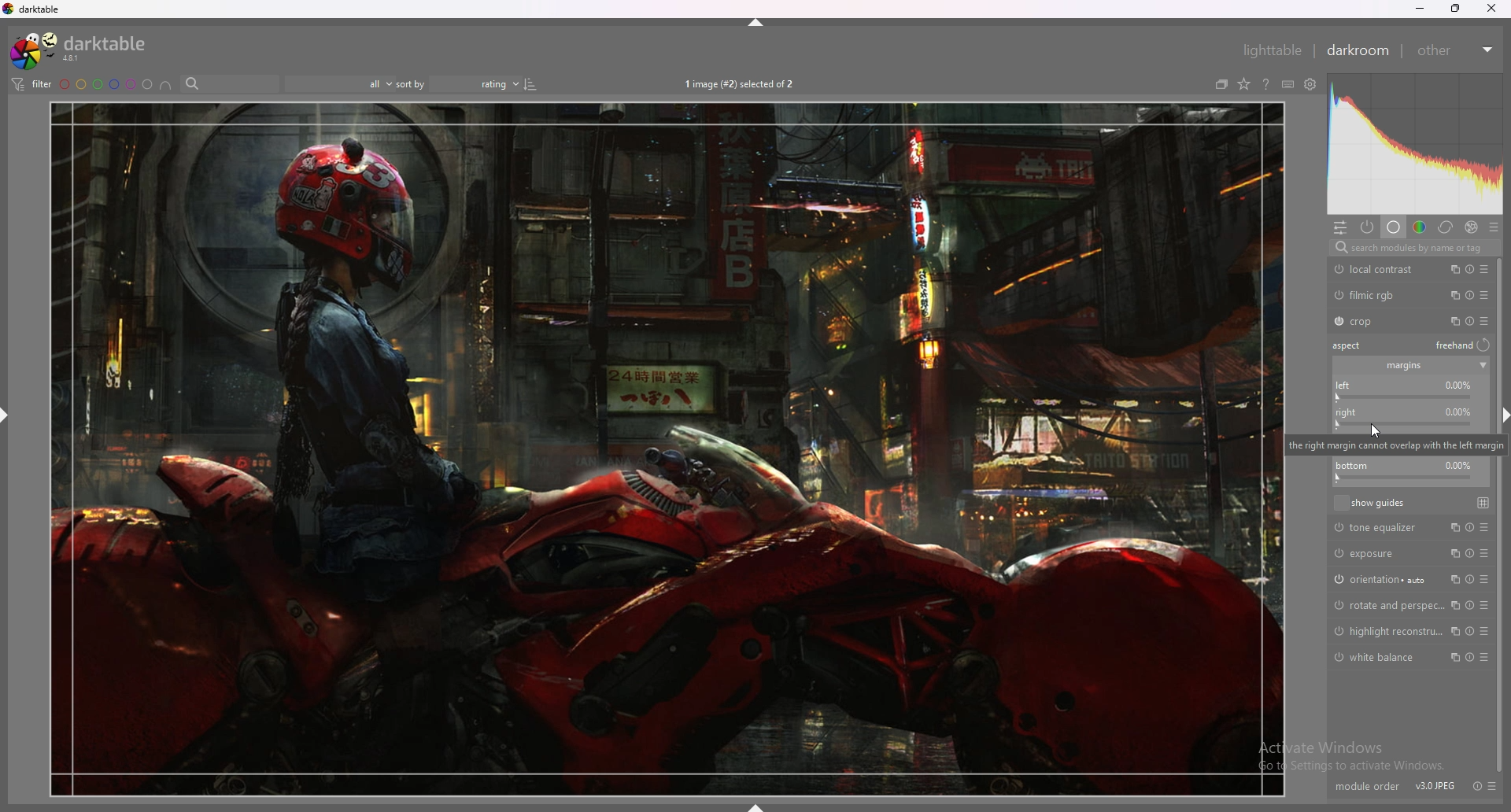  I want to click on collapse grouped images, so click(1221, 84).